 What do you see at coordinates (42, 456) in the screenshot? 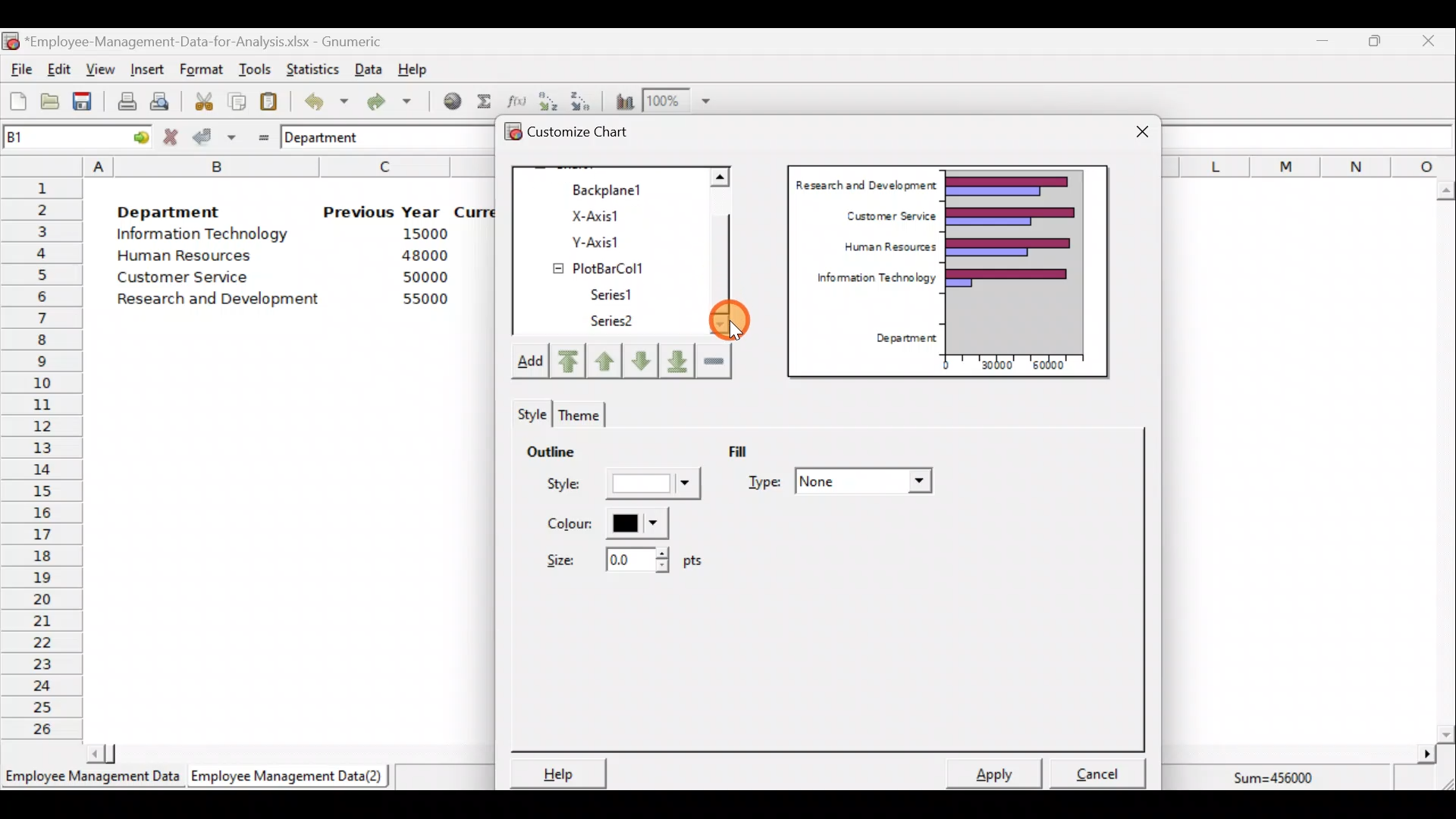
I see `Rows` at bounding box center [42, 456].